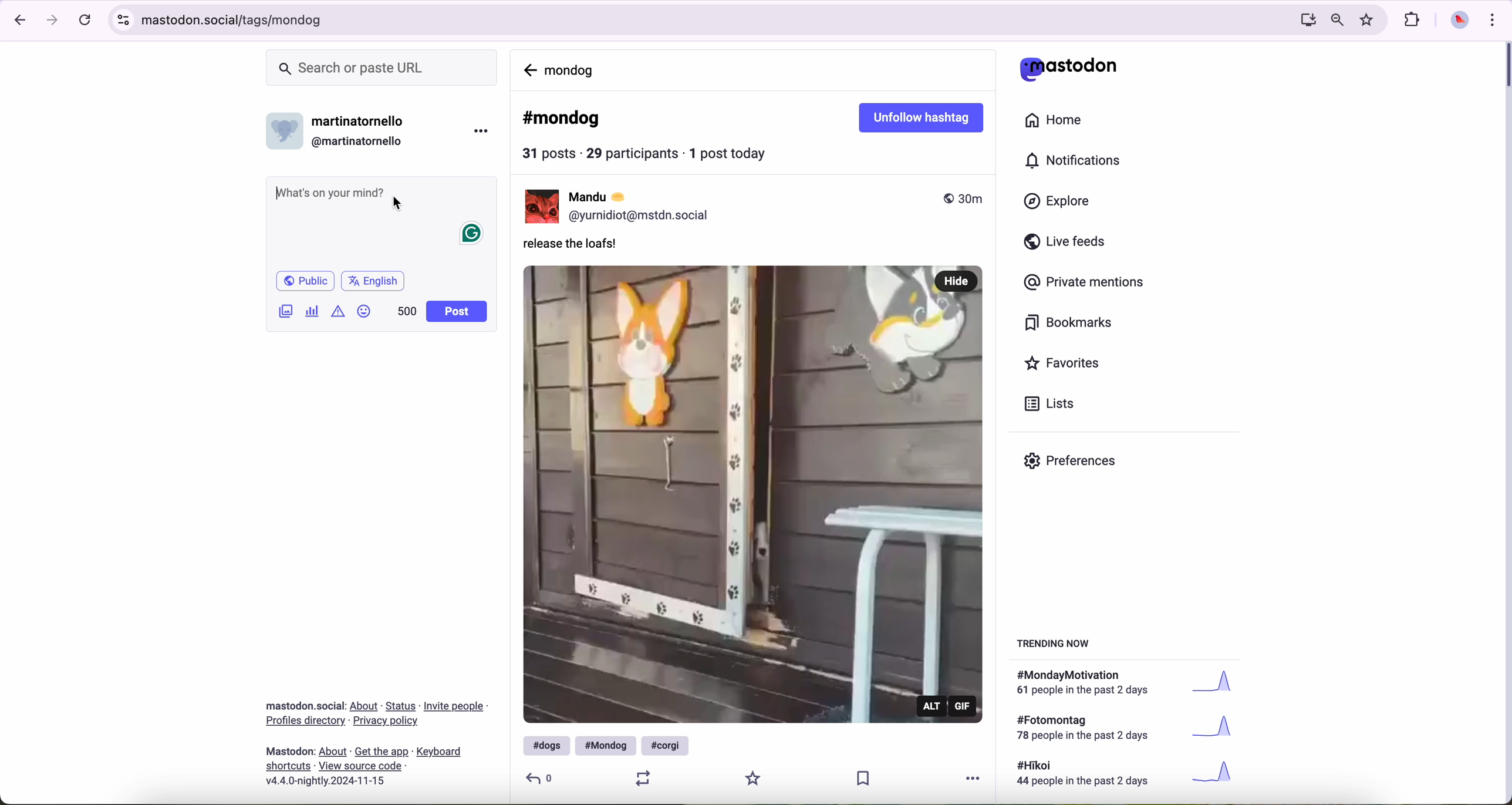 Image resolution: width=1512 pixels, height=805 pixels. What do you see at coordinates (1217, 773) in the screenshot?
I see `graph` at bounding box center [1217, 773].